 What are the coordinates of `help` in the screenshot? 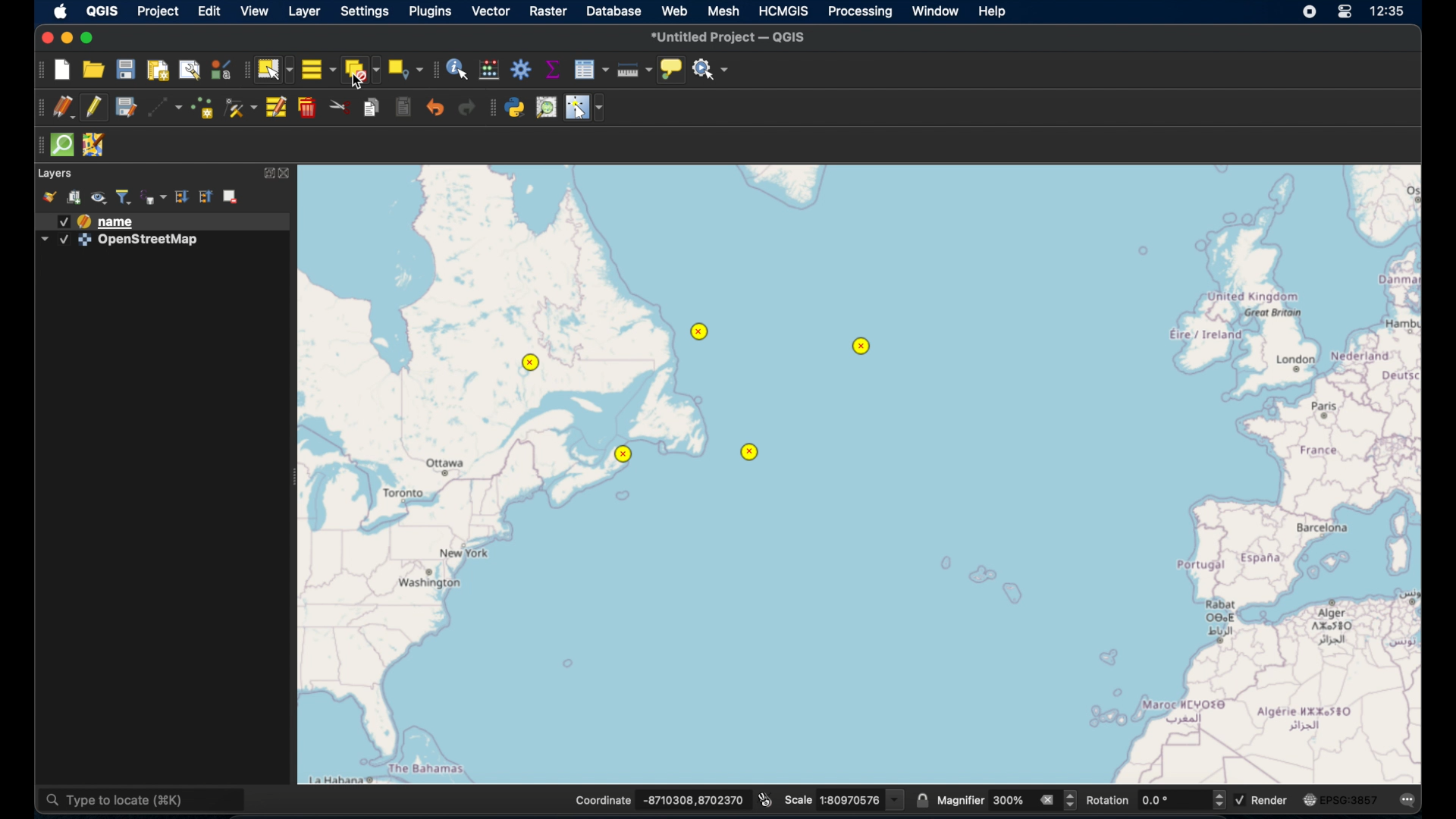 It's located at (994, 13).